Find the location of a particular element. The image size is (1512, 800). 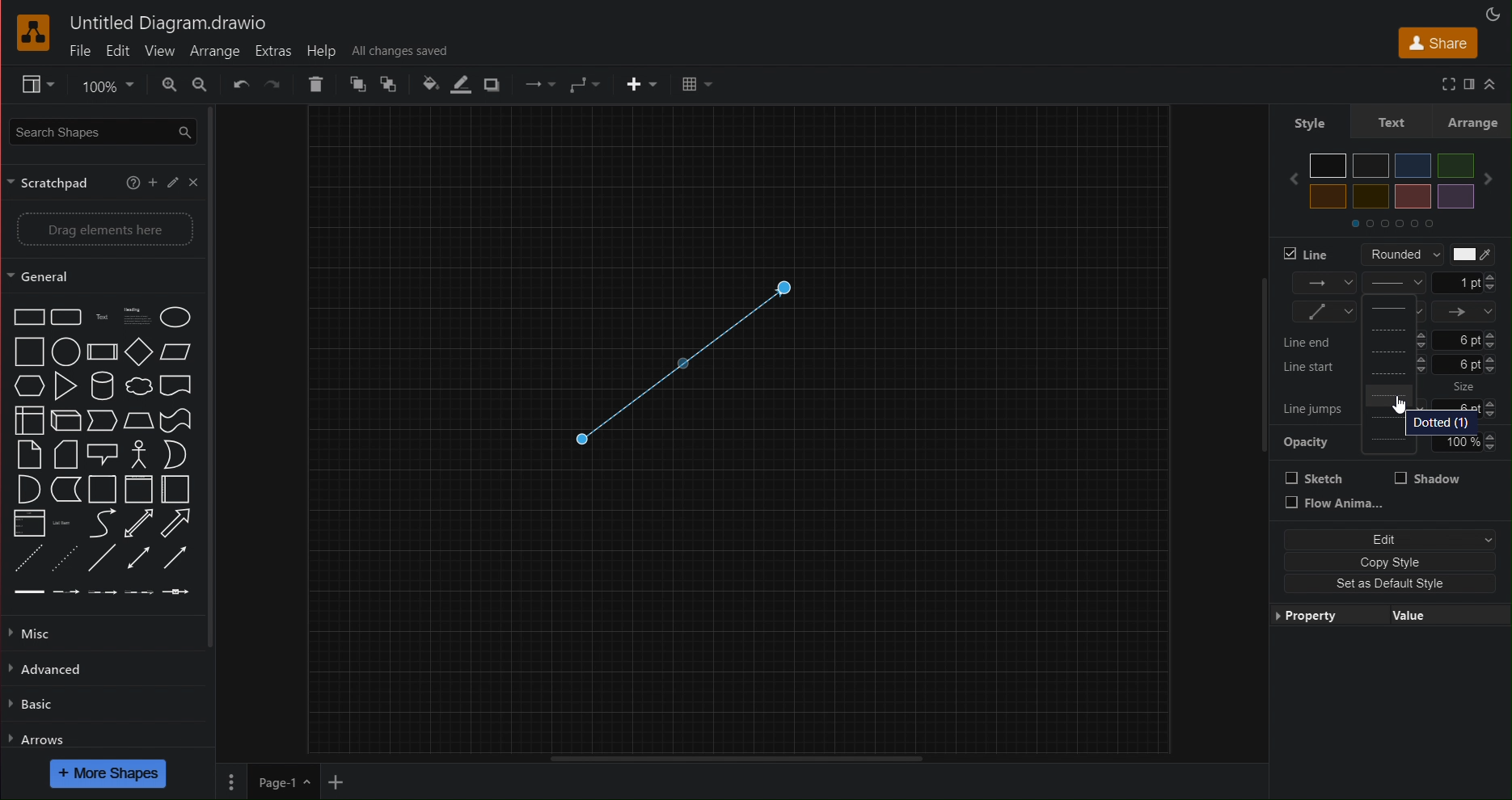

page 1 is located at coordinates (282, 781).